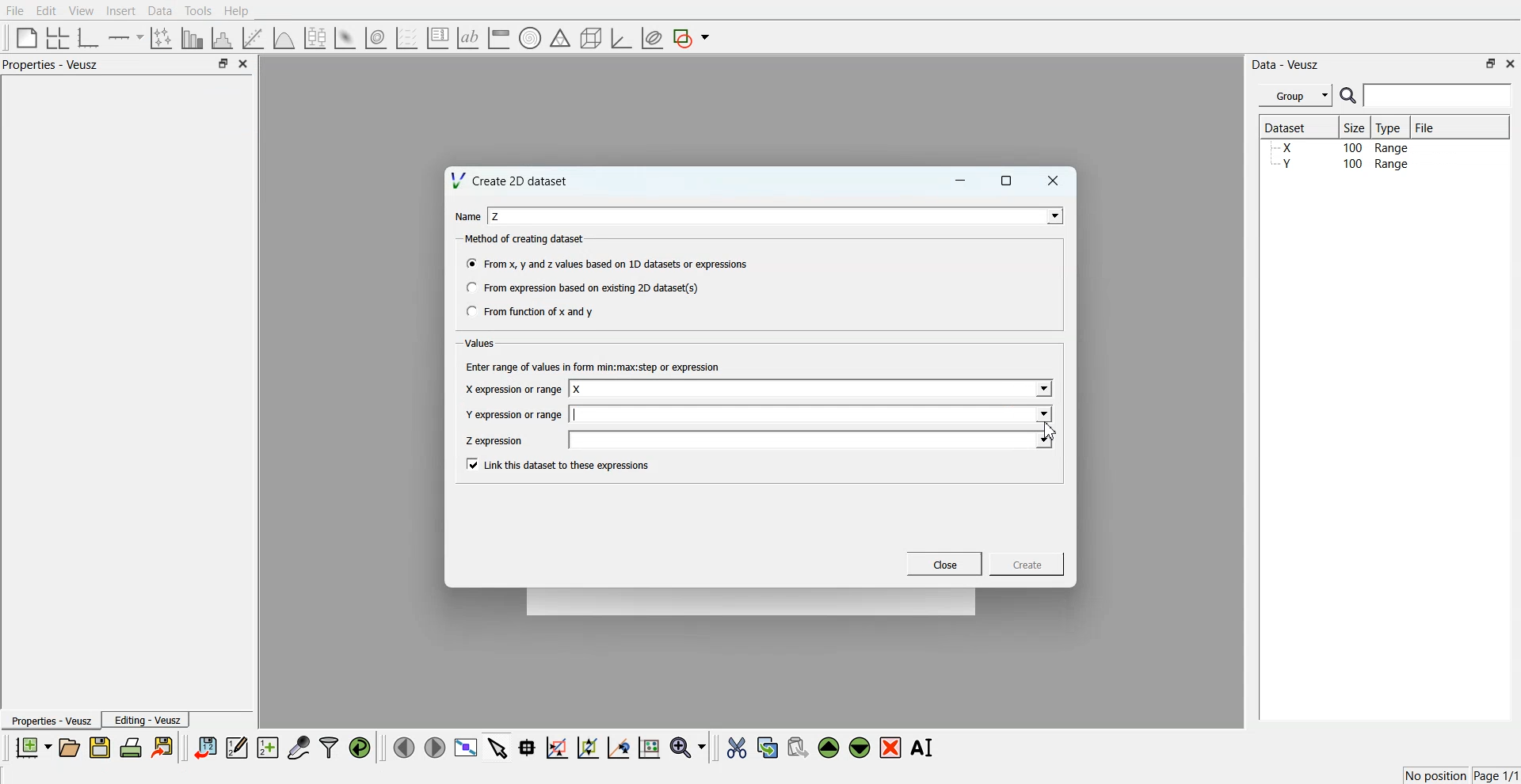 This screenshot has width=1521, height=784. What do you see at coordinates (89, 38) in the screenshot?
I see `Base Graph` at bounding box center [89, 38].